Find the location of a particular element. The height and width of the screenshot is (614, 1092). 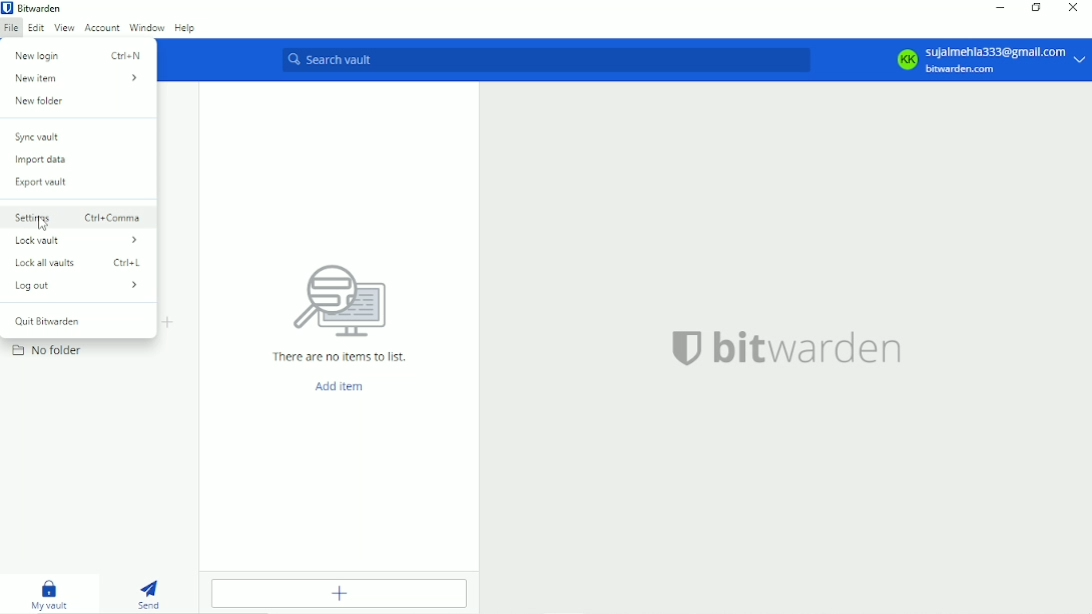

Restore down is located at coordinates (1037, 8).